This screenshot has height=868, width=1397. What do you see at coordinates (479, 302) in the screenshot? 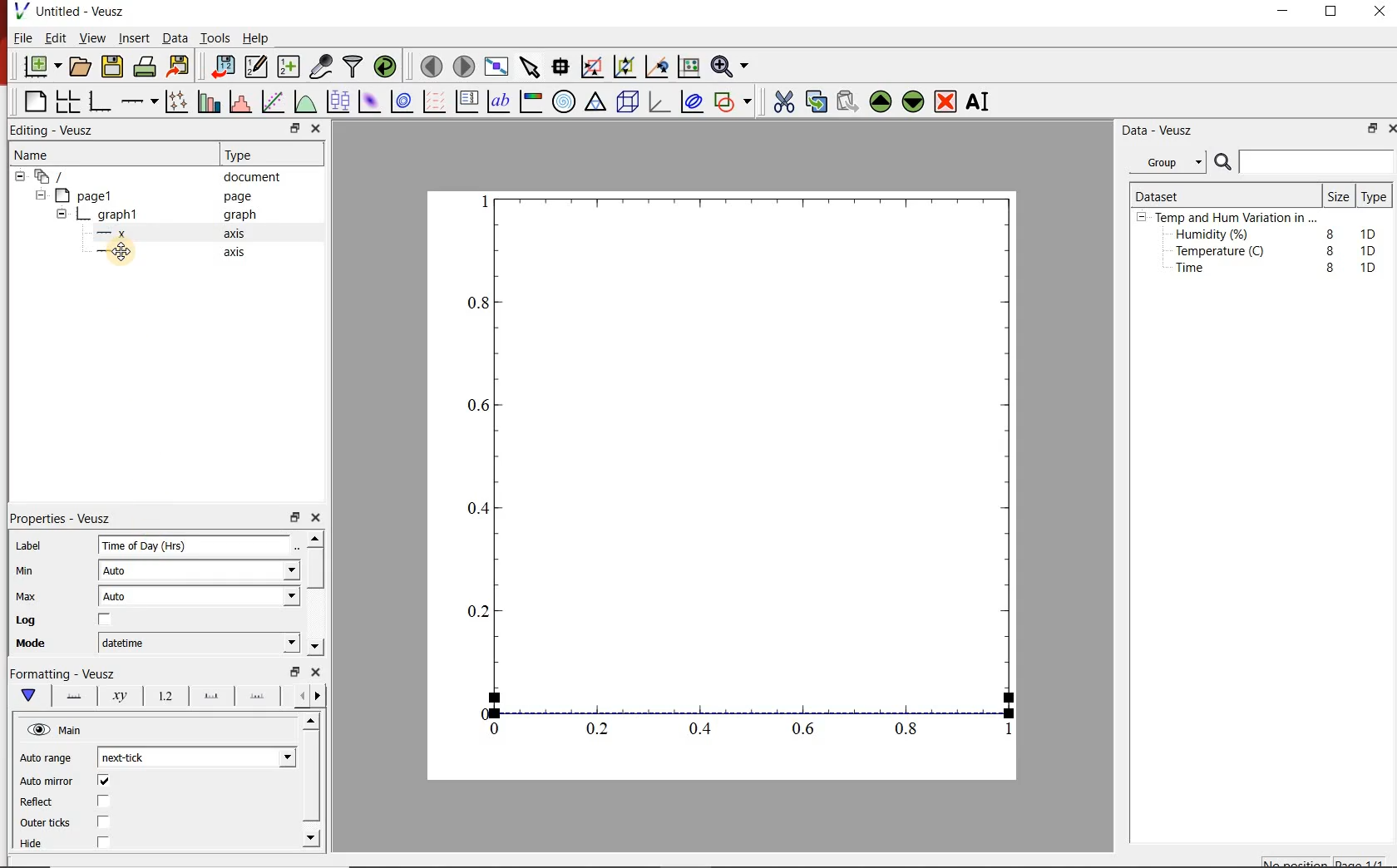
I see `0.8` at bounding box center [479, 302].